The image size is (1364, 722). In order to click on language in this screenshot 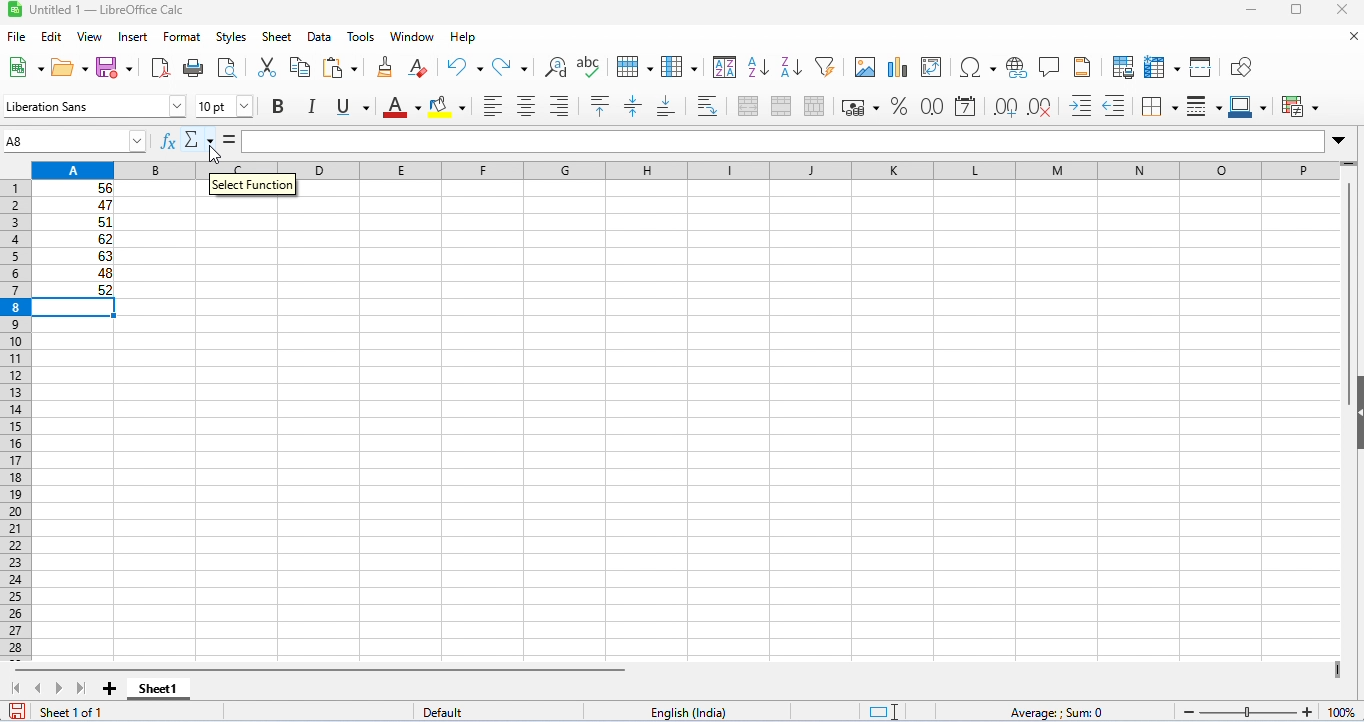, I will do `click(691, 713)`.